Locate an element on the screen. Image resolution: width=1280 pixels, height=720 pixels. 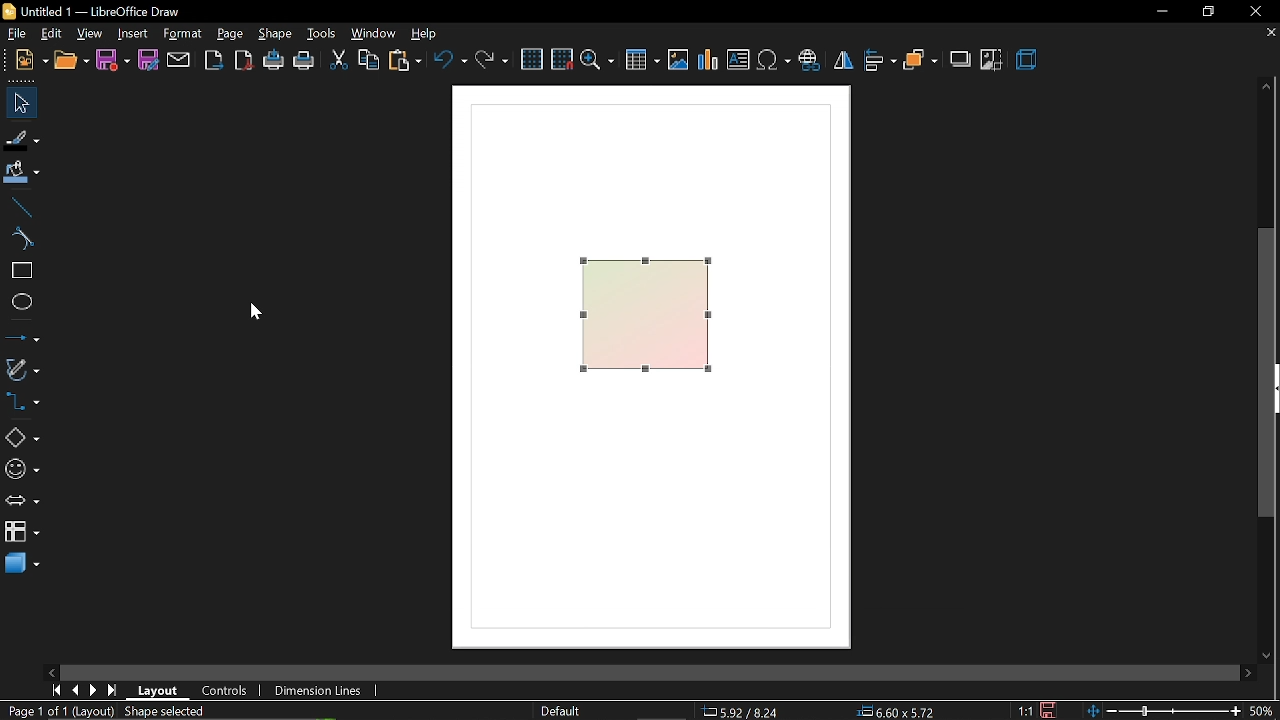
Insert table is located at coordinates (642, 61).